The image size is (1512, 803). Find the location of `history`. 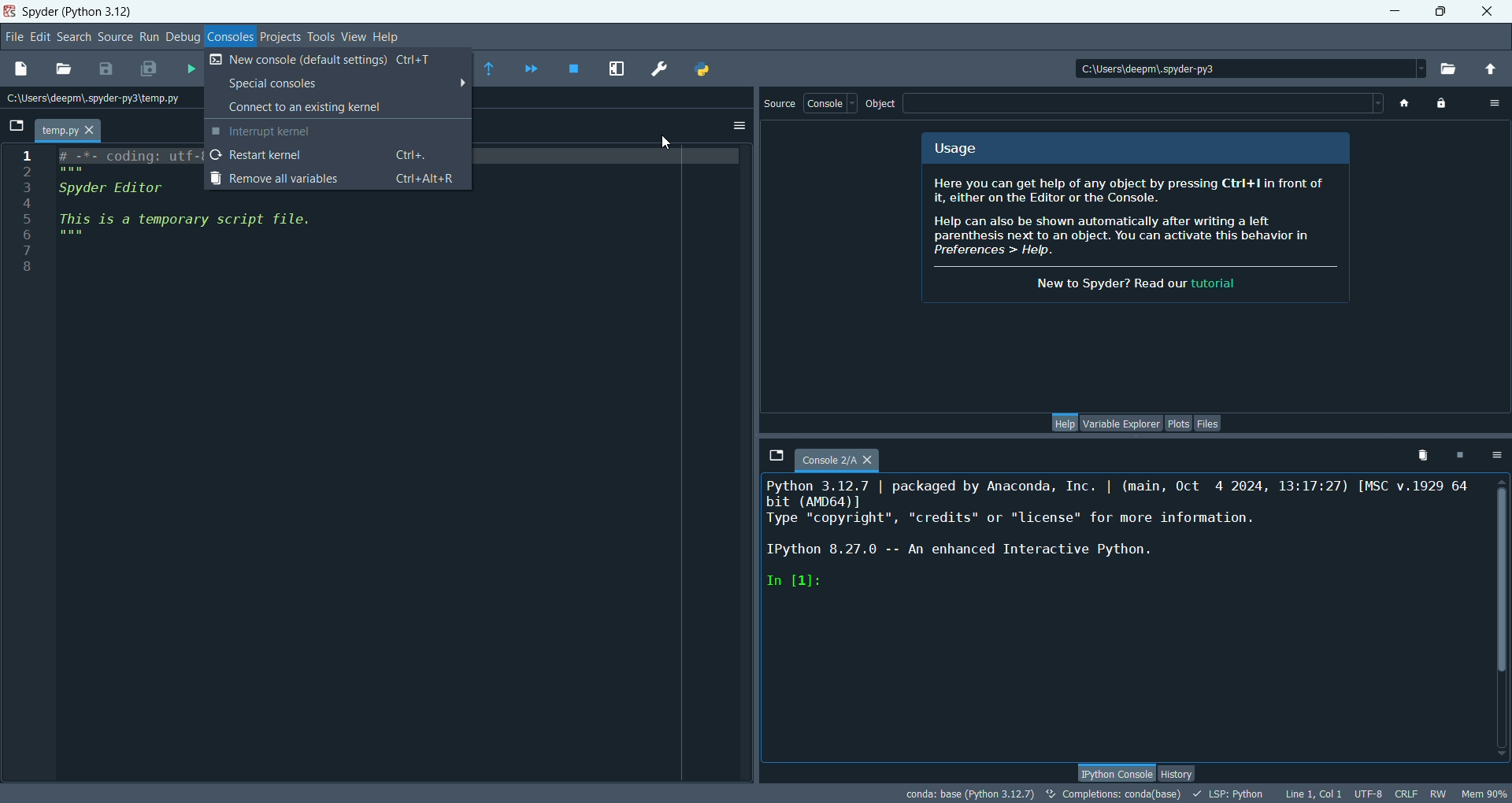

history is located at coordinates (1178, 772).